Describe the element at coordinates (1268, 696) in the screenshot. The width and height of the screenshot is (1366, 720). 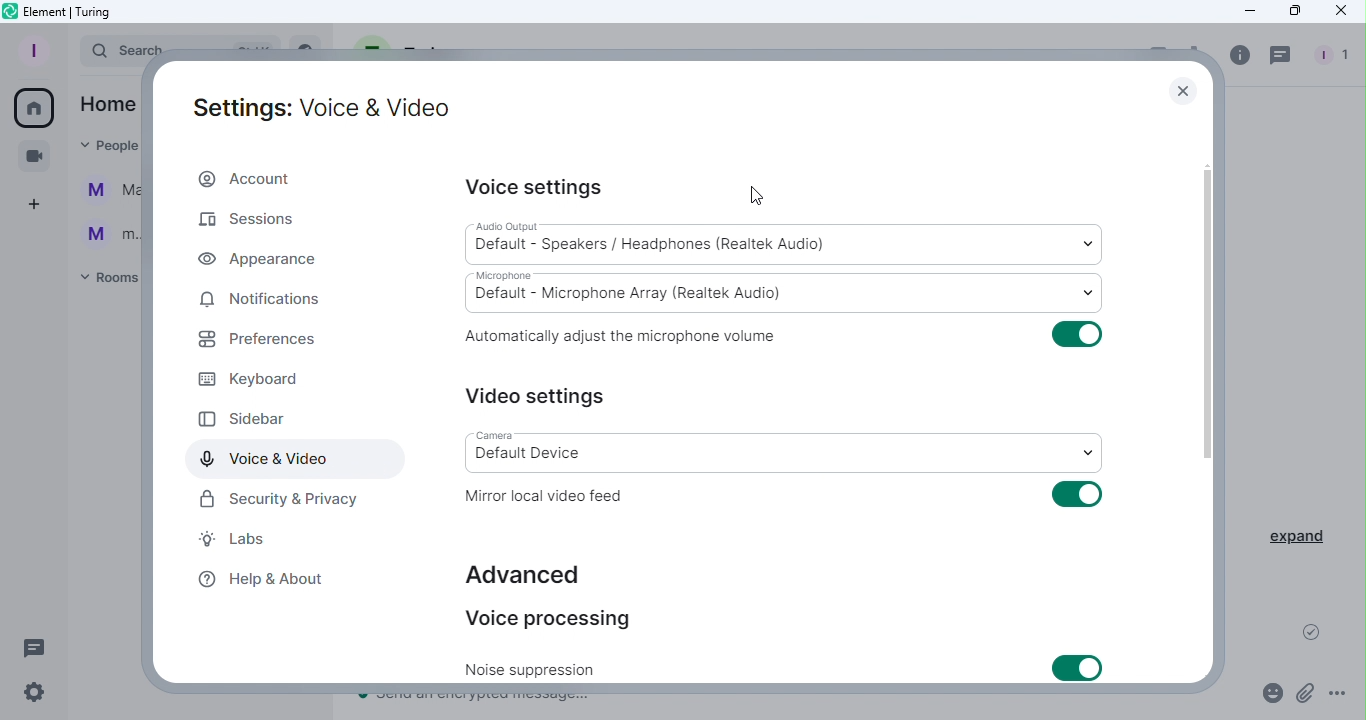
I see `Emoji` at that location.